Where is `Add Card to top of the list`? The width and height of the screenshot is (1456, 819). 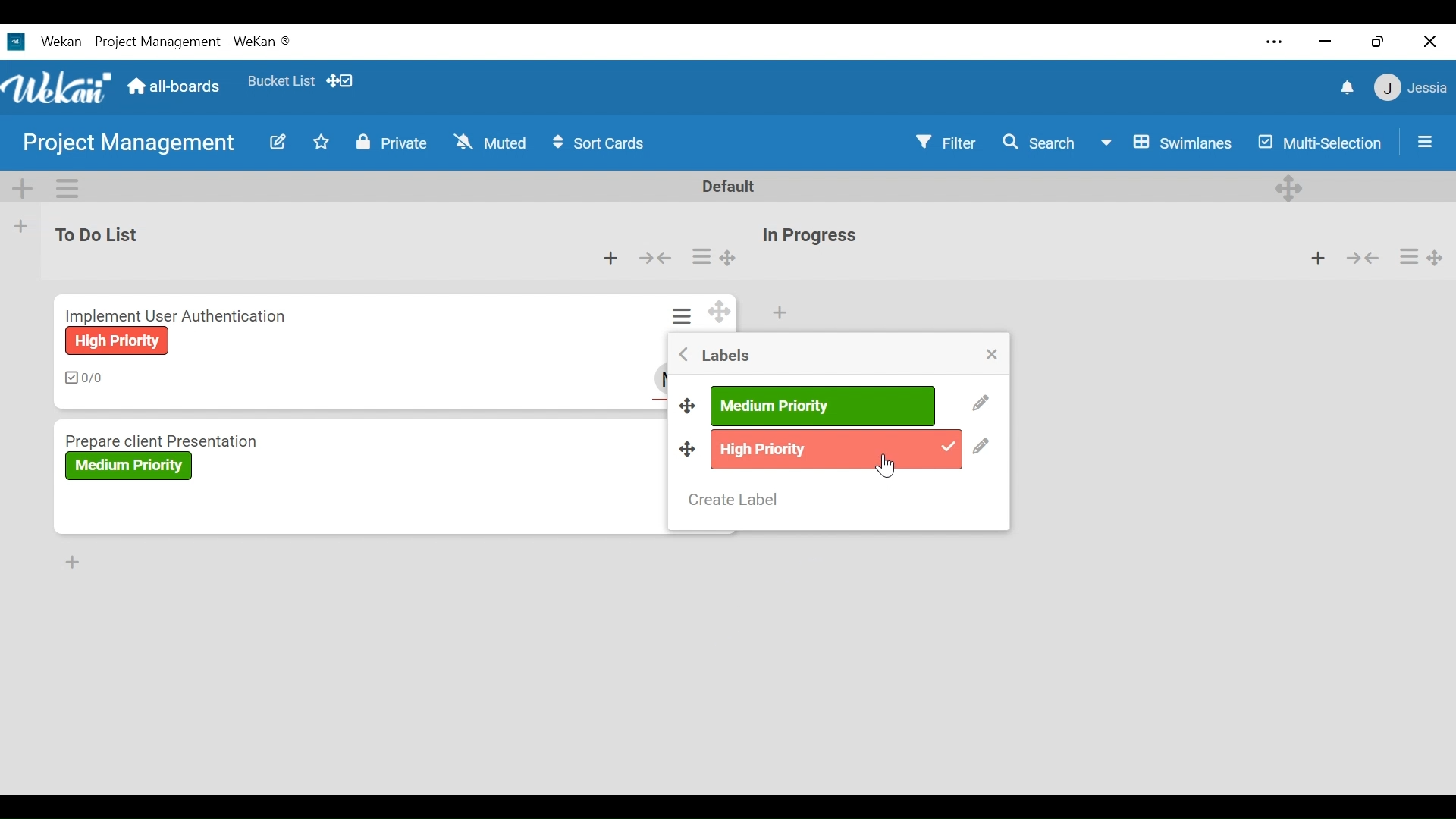 Add Card to top of the list is located at coordinates (1317, 256).